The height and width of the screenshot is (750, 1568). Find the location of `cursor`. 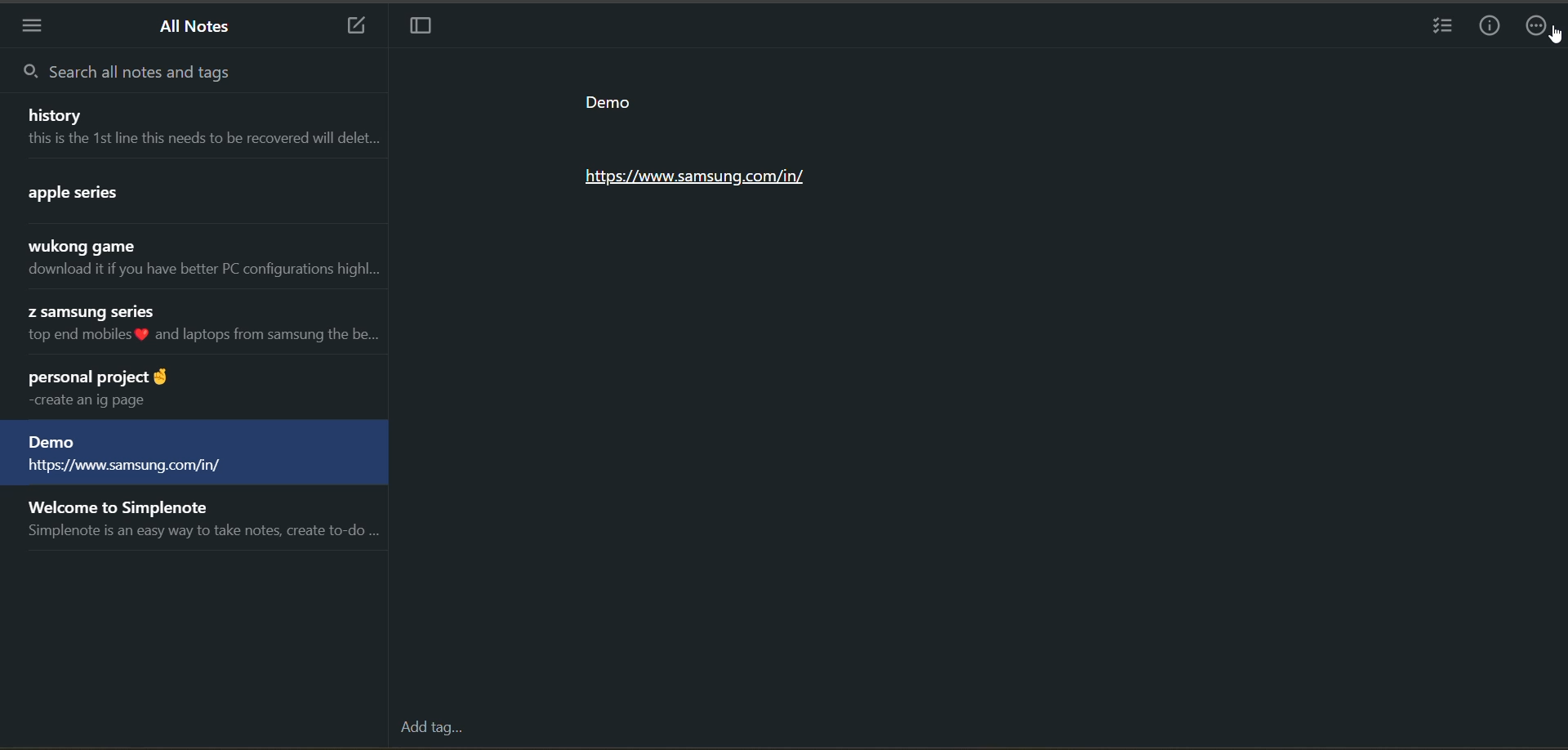

cursor is located at coordinates (1555, 38).